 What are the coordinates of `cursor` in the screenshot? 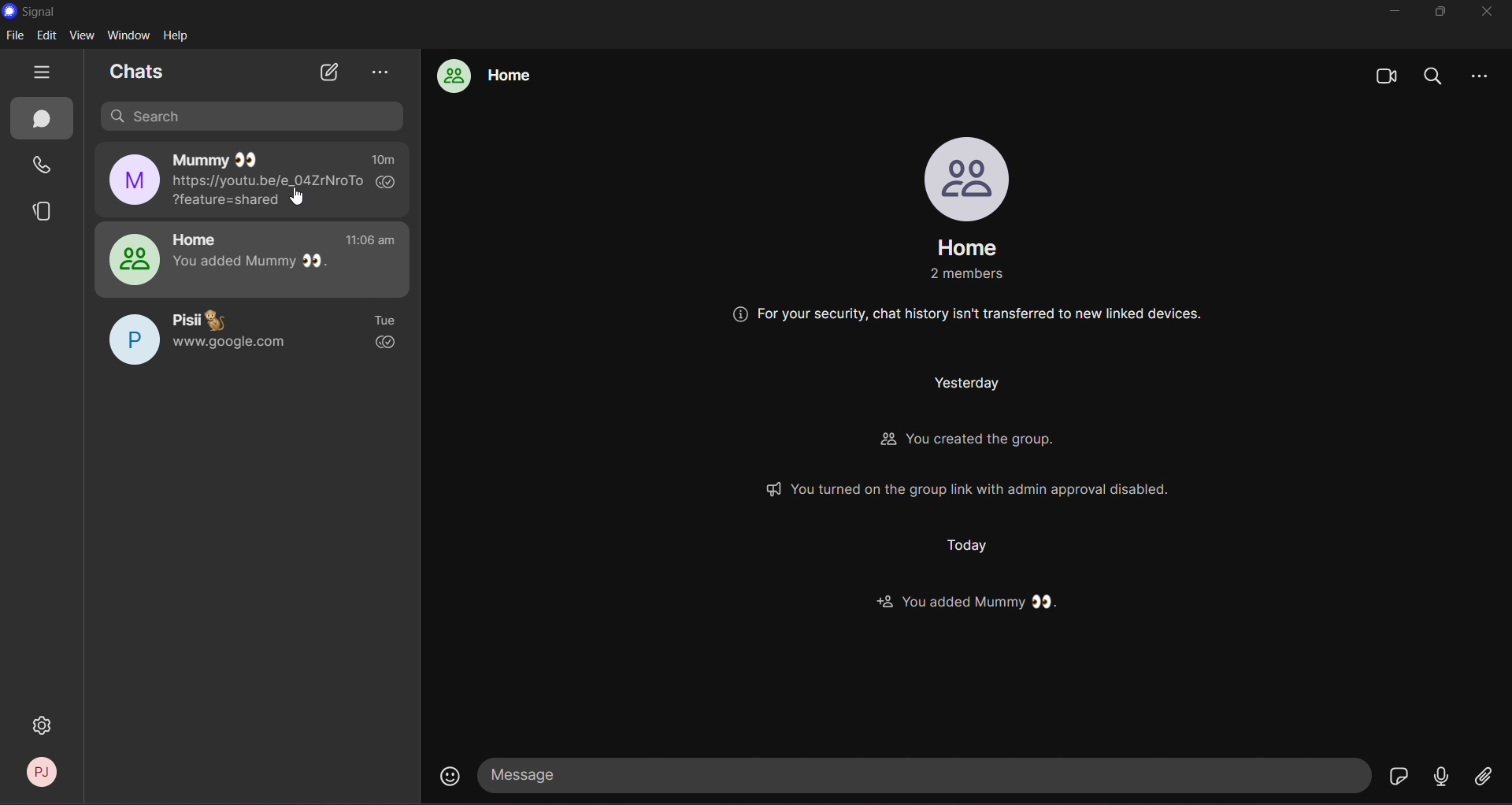 It's located at (301, 198).